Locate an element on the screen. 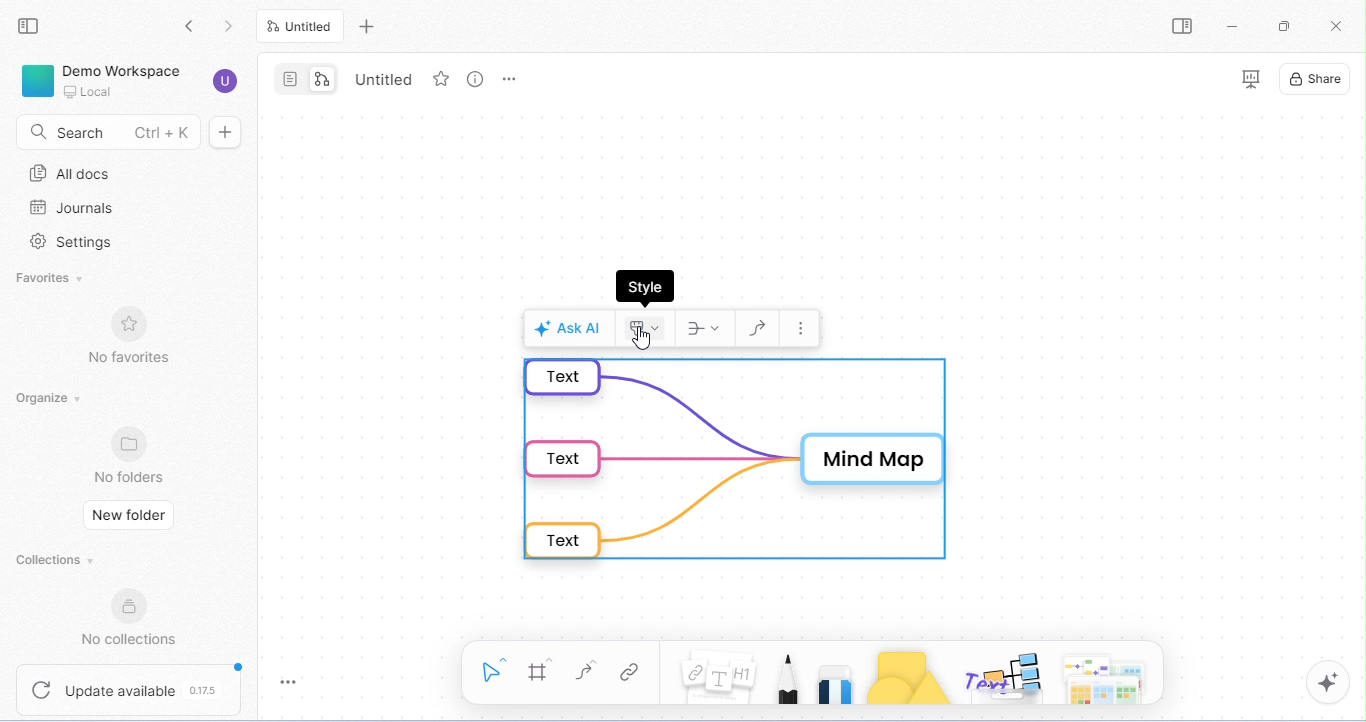 Image resolution: width=1366 pixels, height=722 pixels. view option is located at coordinates (477, 83).